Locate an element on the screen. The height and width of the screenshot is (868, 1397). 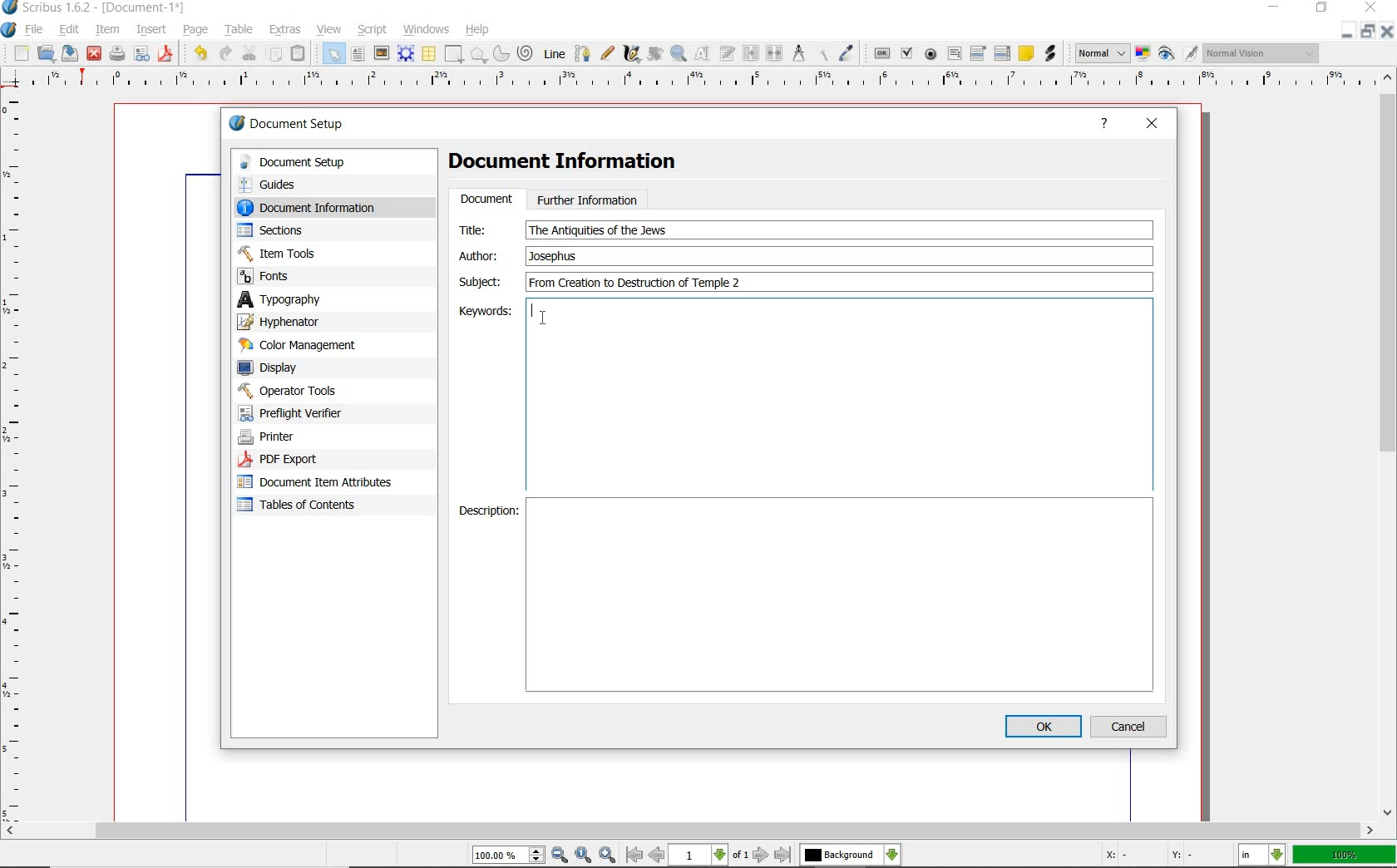
preflight verifier is located at coordinates (141, 55).